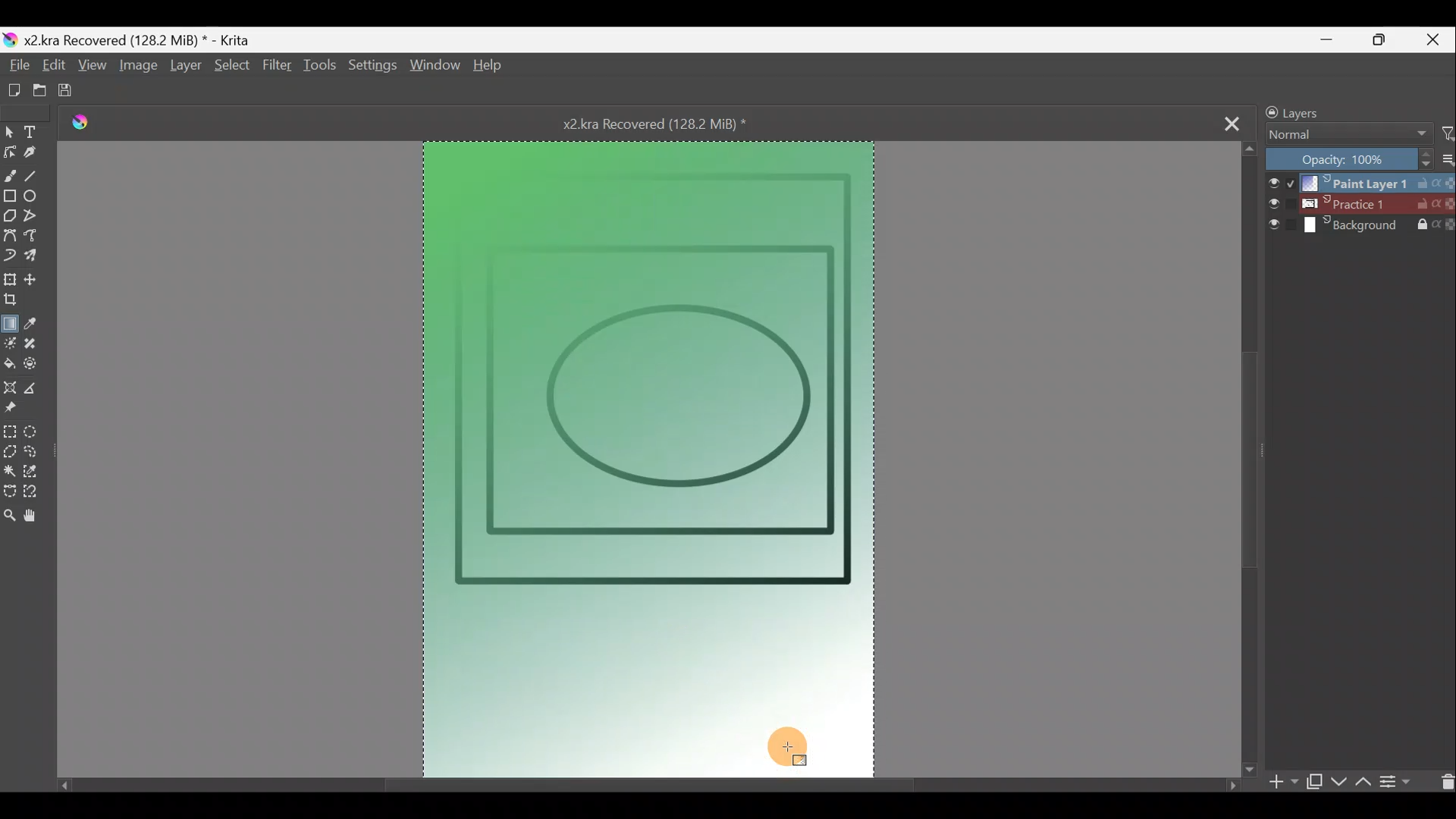 The width and height of the screenshot is (1456, 819). I want to click on Enclose & fill tool, so click(39, 367).